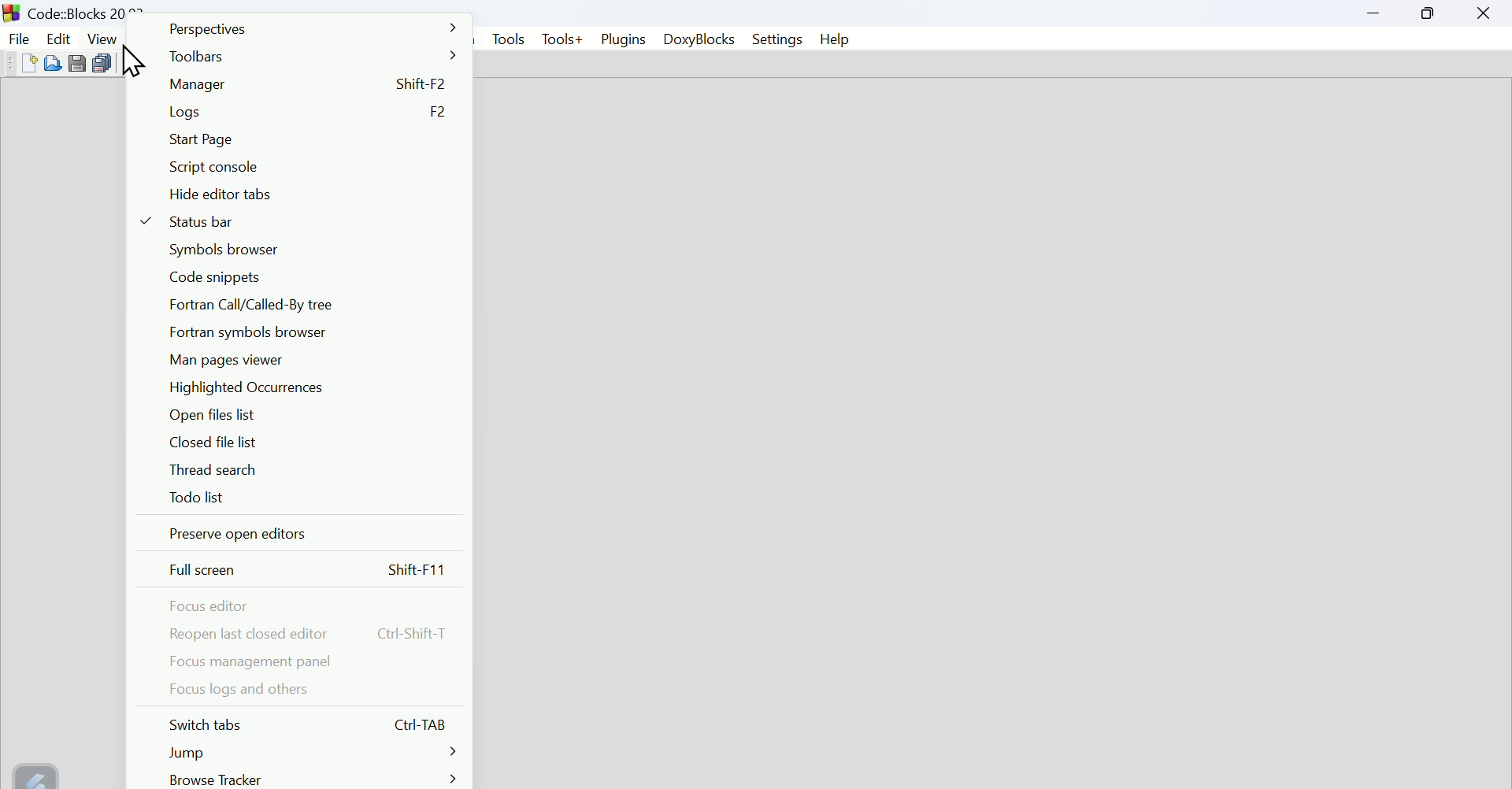 The height and width of the screenshot is (789, 1512). Describe the element at coordinates (308, 570) in the screenshot. I see `Full screen` at that location.